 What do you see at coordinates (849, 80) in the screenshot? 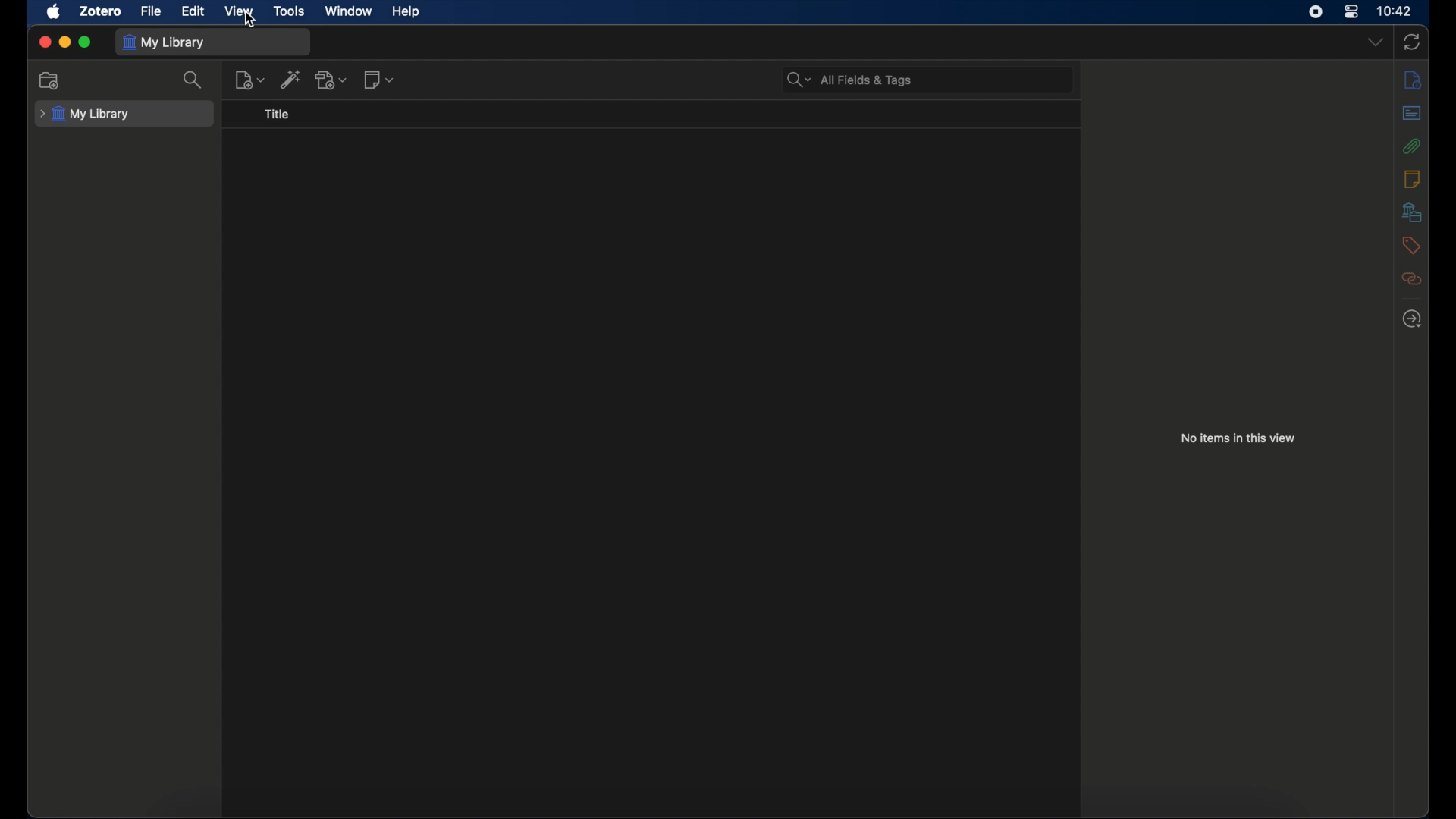
I see `all fields & tags` at bounding box center [849, 80].